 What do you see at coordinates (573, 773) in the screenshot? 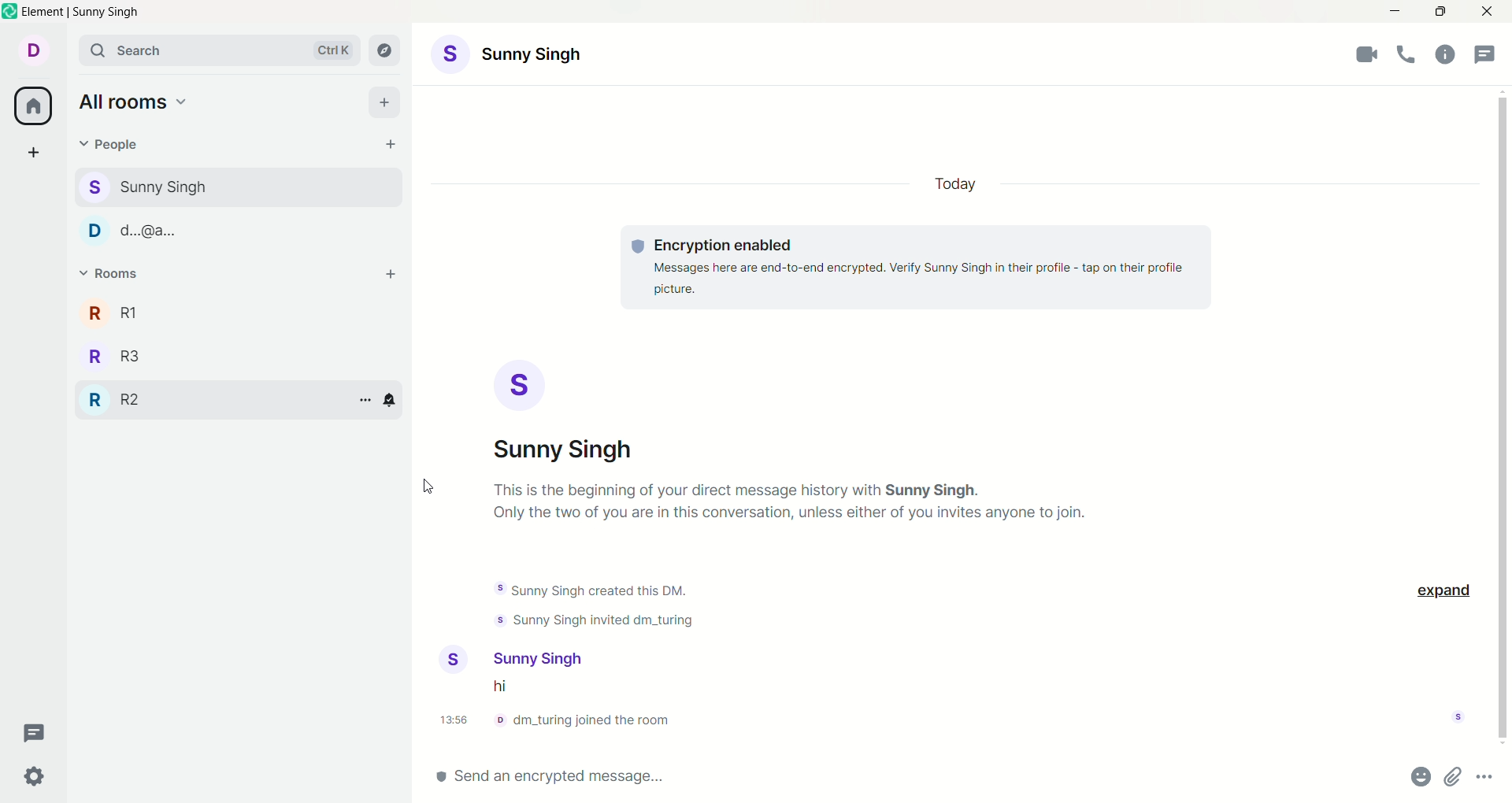
I see `send enxrypted message` at bounding box center [573, 773].